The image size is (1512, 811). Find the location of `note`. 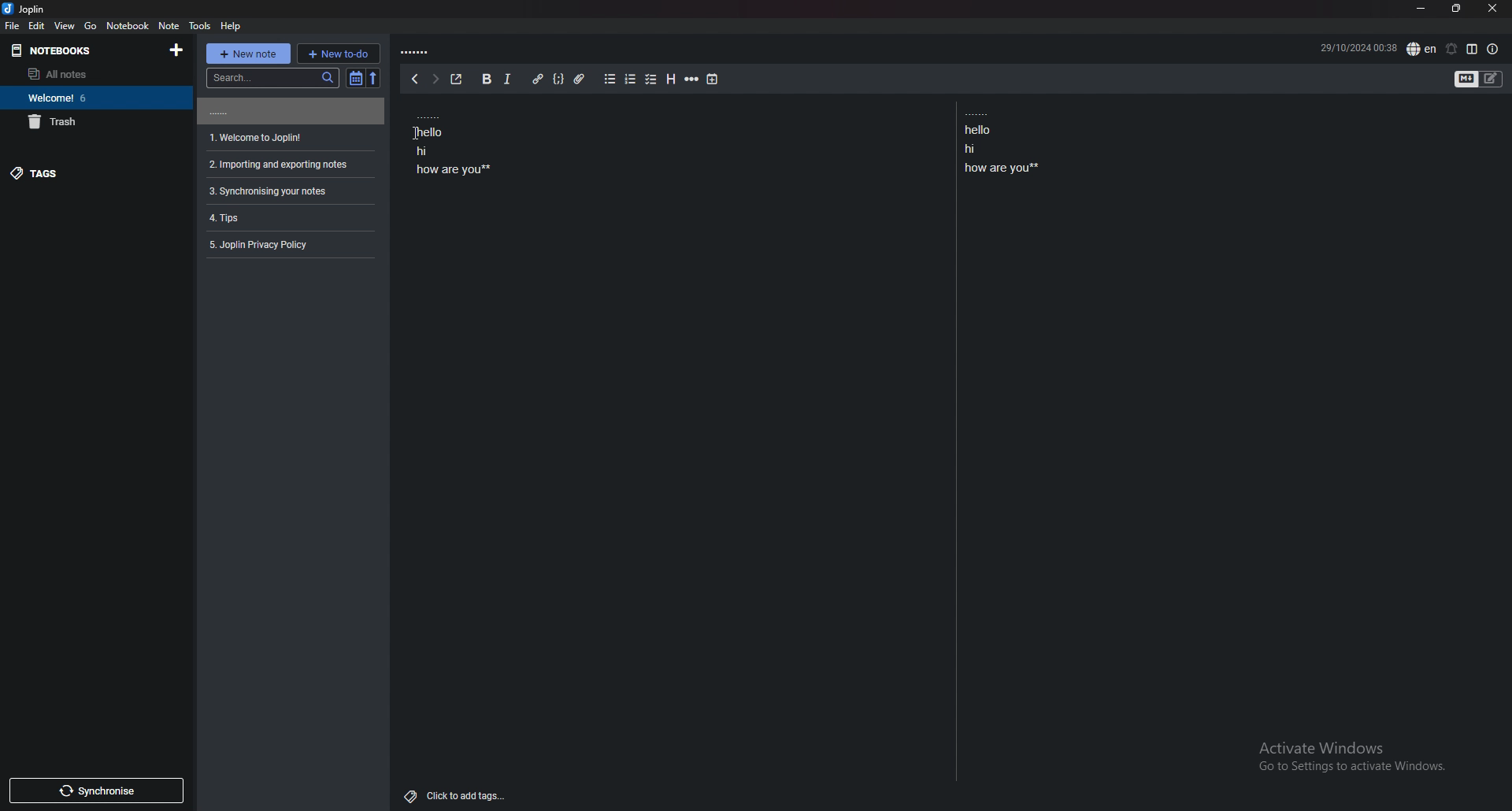

note is located at coordinates (287, 245).